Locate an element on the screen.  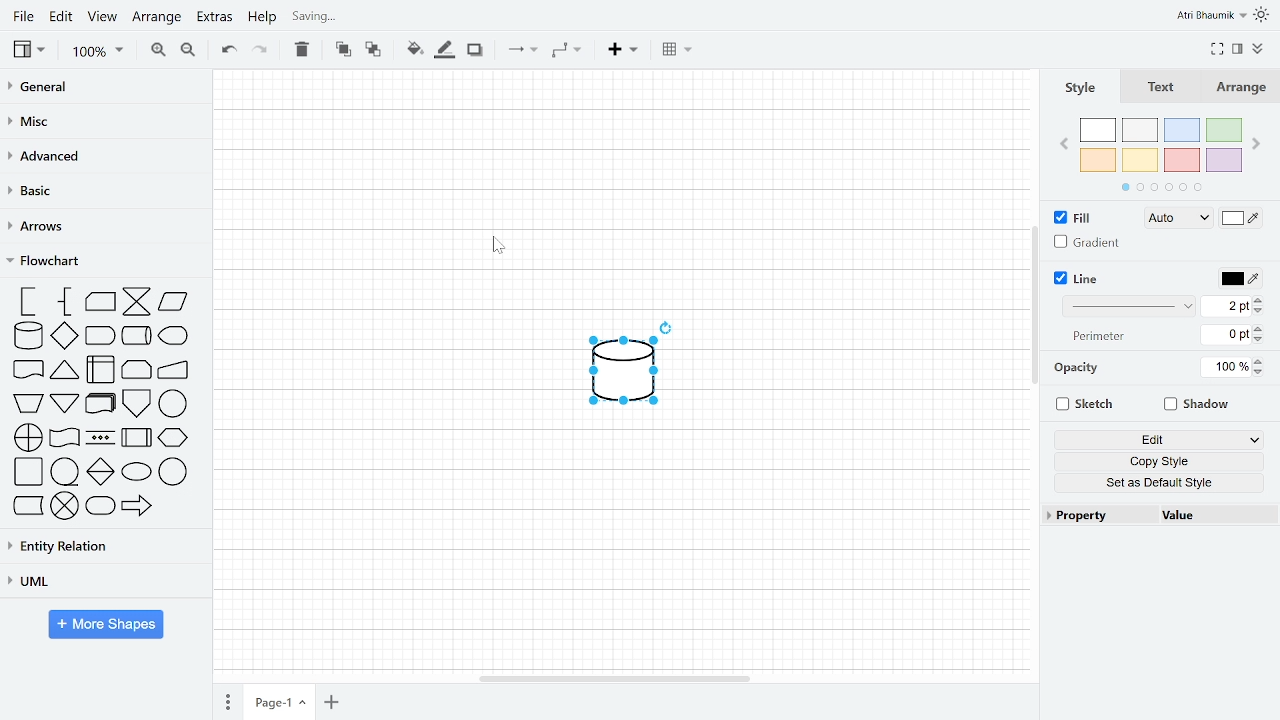
Flowchart is located at coordinates (100, 262).